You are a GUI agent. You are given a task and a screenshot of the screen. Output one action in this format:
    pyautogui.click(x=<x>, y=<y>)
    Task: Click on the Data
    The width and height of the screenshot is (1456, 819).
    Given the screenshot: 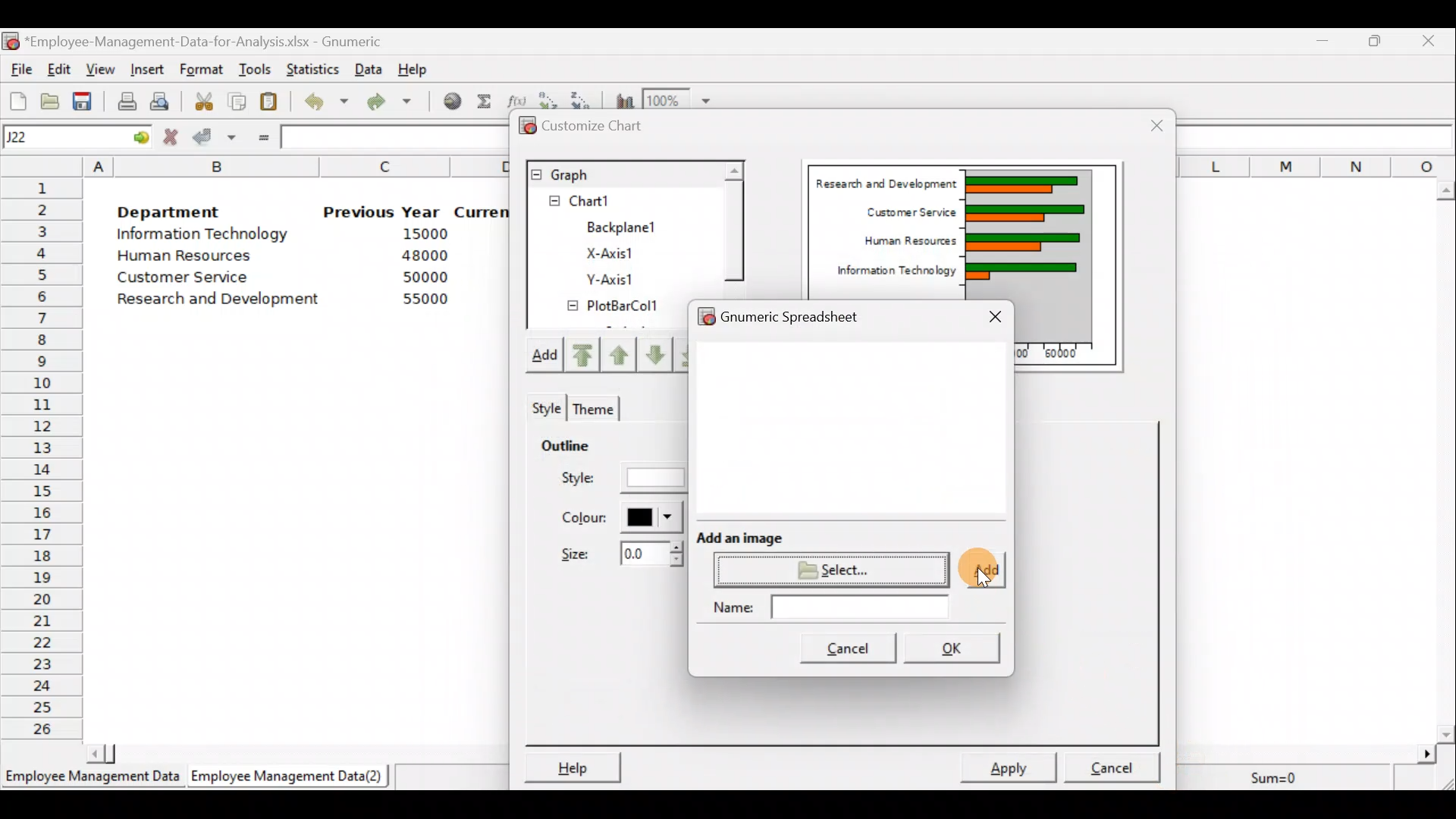 What is the action you would take?
    pyautogui.click(x=369, y=67)
    